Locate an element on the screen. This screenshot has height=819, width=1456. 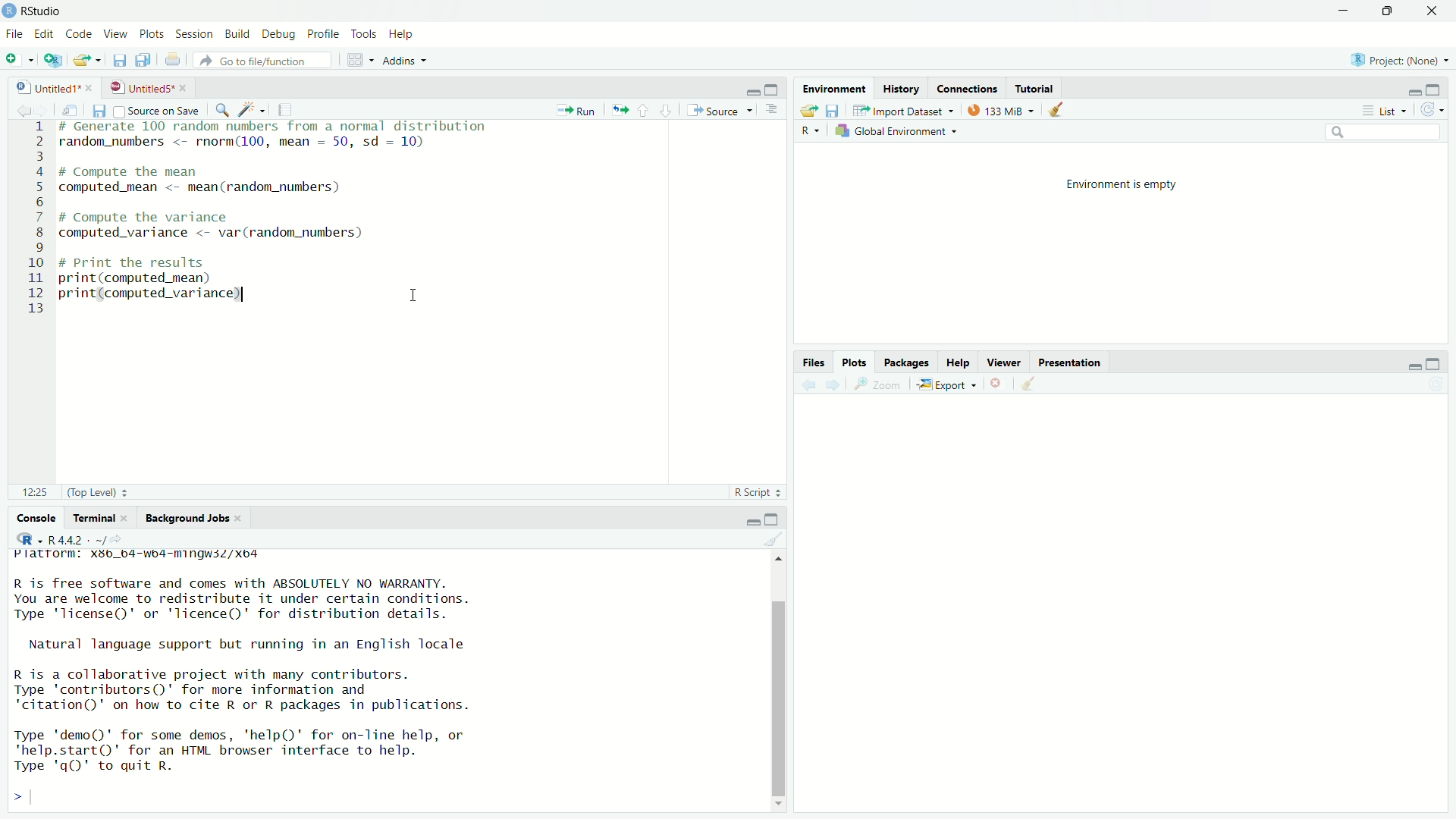
build is located at coordinates (238, 34).